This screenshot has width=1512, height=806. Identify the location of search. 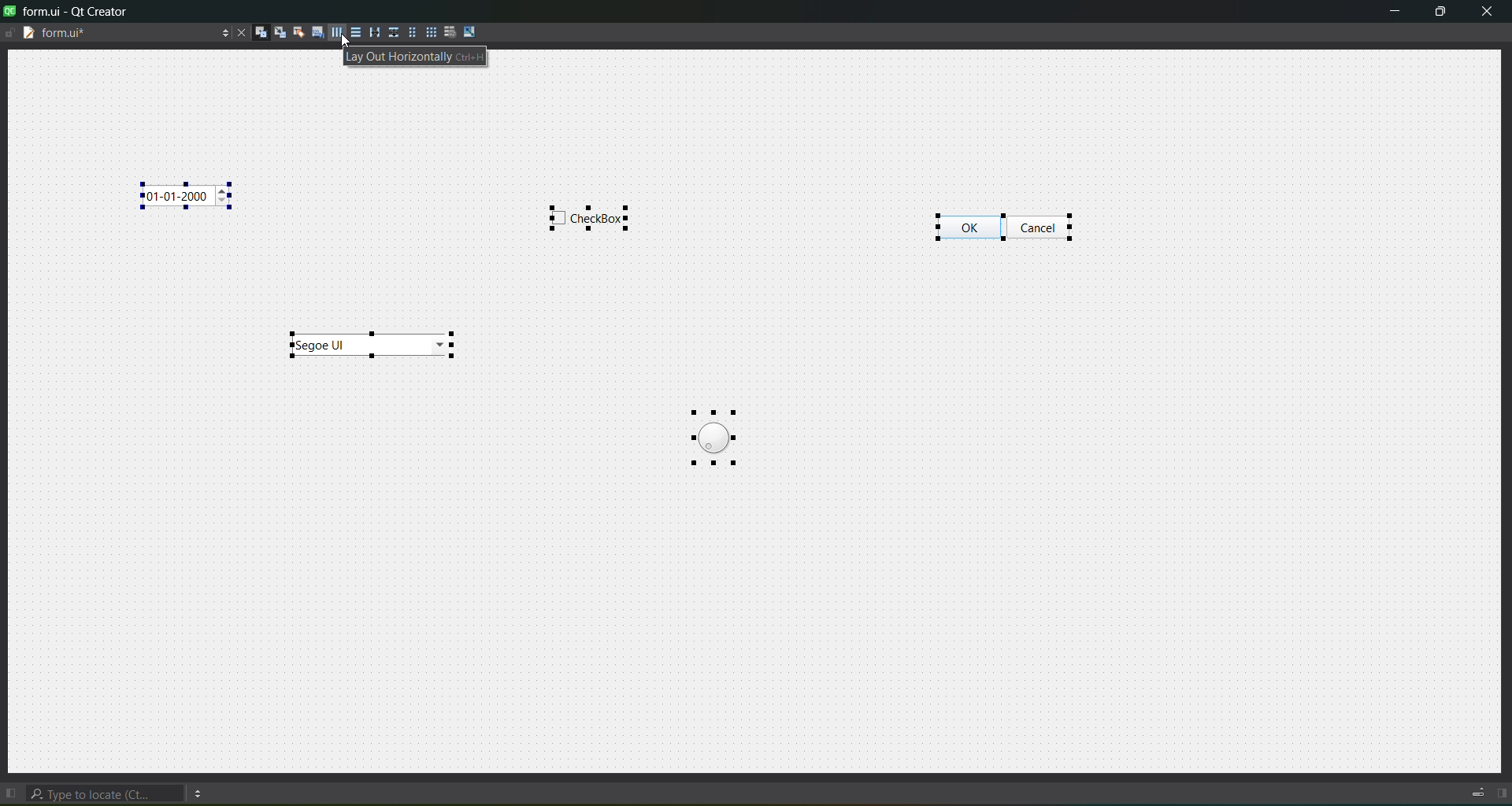
(104, 790).